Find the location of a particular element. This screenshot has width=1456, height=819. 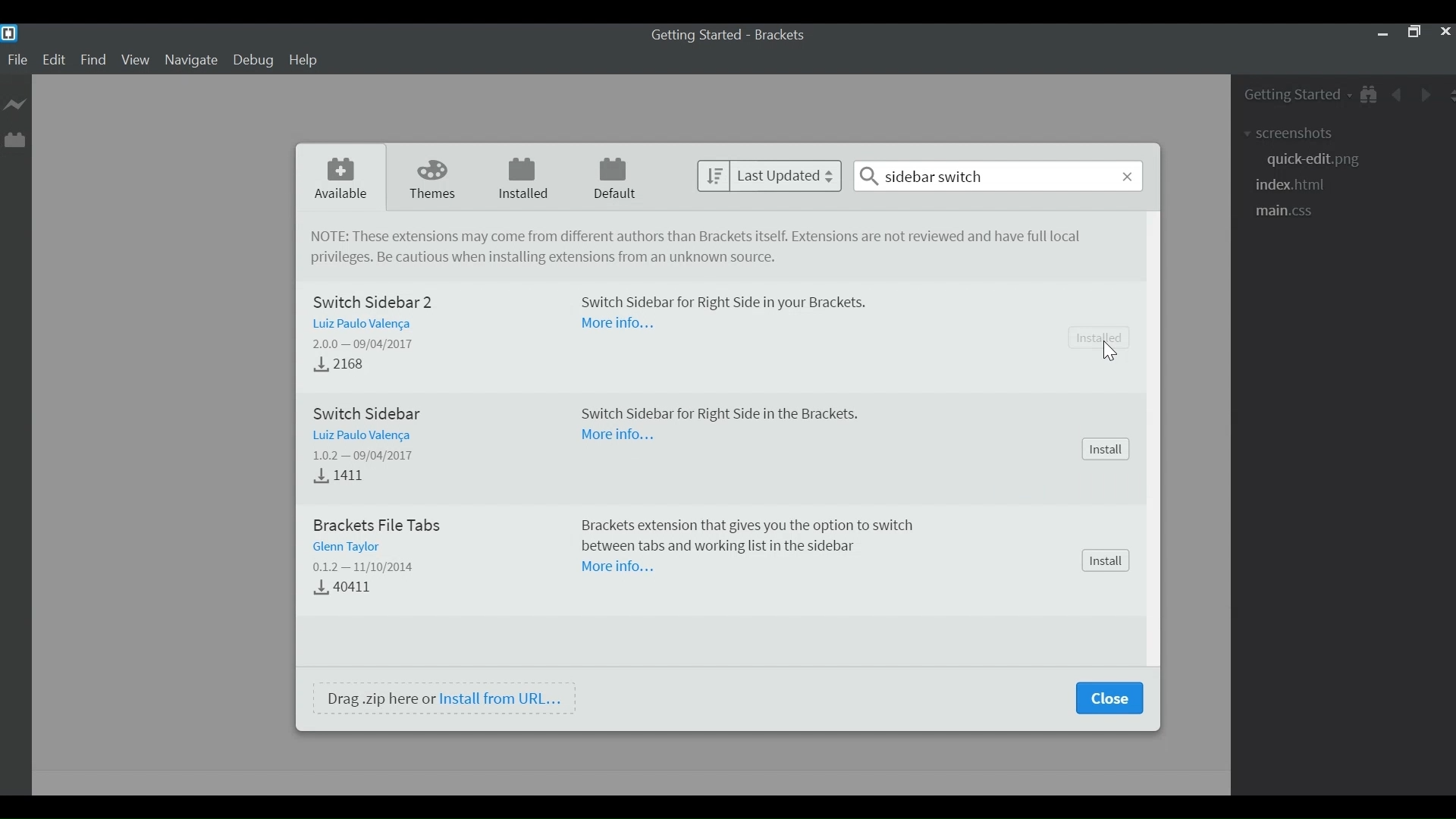

Edit is located at coordinates (55, 61).